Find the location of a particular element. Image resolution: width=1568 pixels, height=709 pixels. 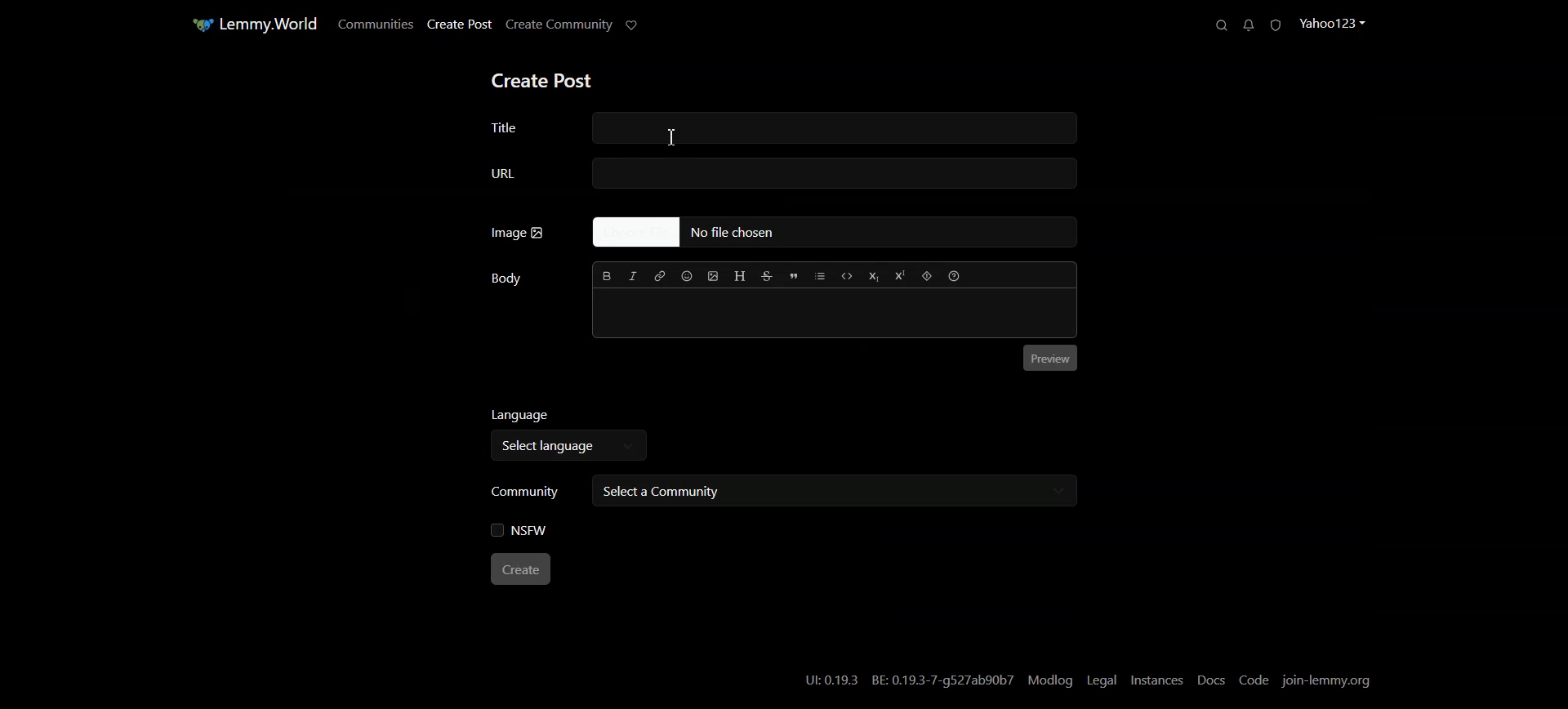

Header is located at coordinates (740, 276).